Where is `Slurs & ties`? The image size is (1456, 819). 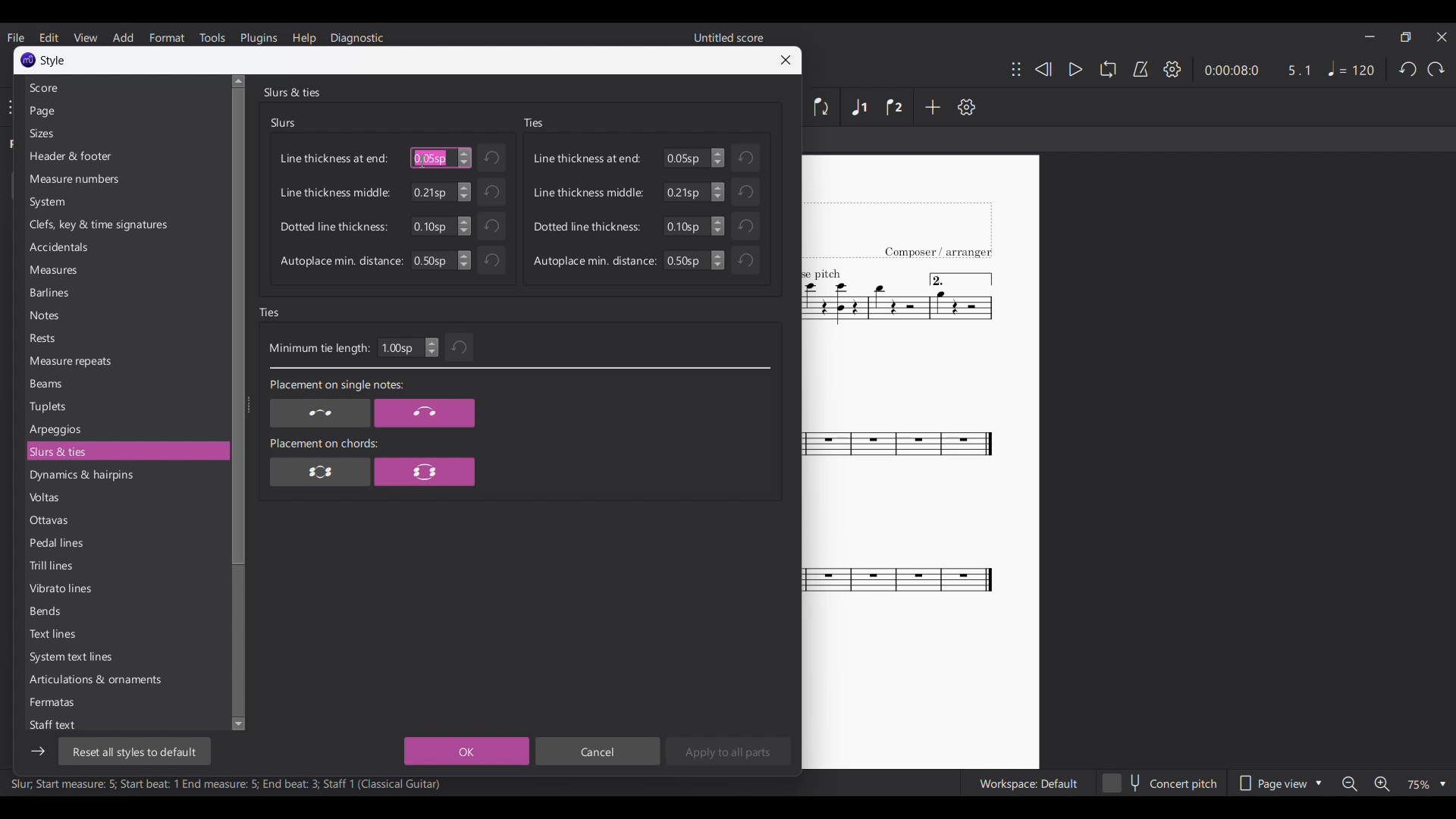 Slurs & ties is located at coordinates (291, 92).